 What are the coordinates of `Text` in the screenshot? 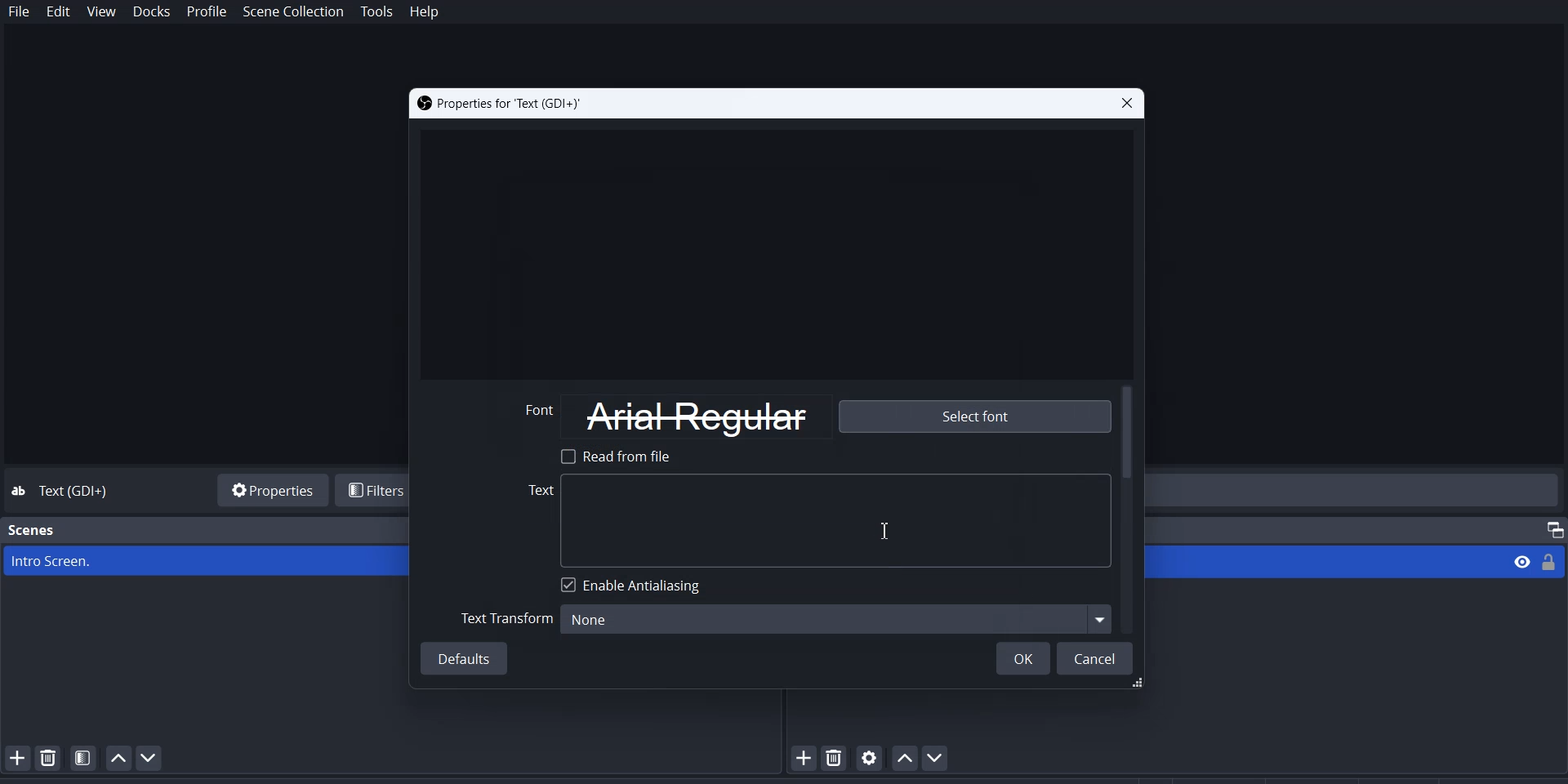 It's located at (78, 492).